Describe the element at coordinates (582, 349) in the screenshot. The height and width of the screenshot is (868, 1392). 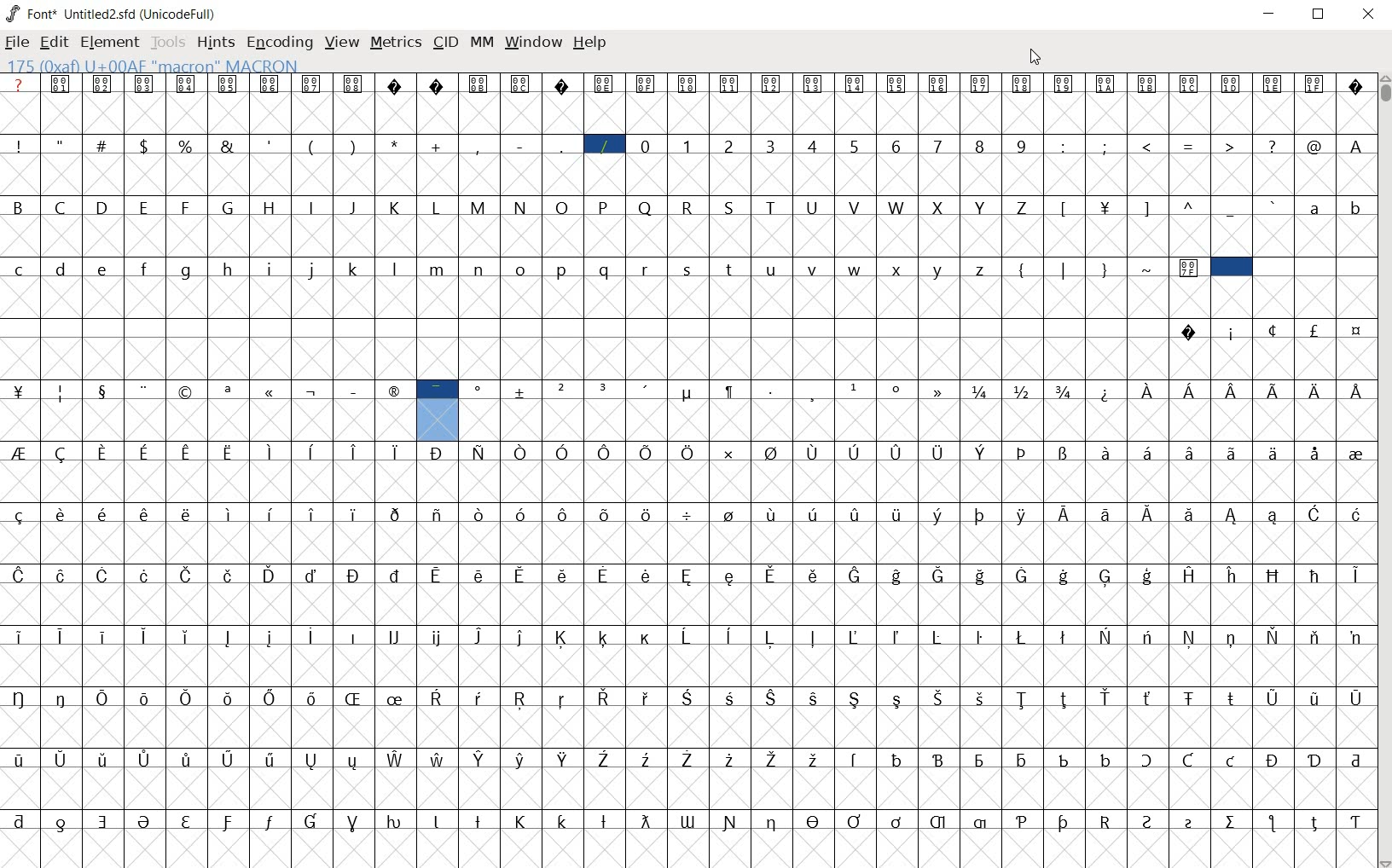
I see `slot` at that location.